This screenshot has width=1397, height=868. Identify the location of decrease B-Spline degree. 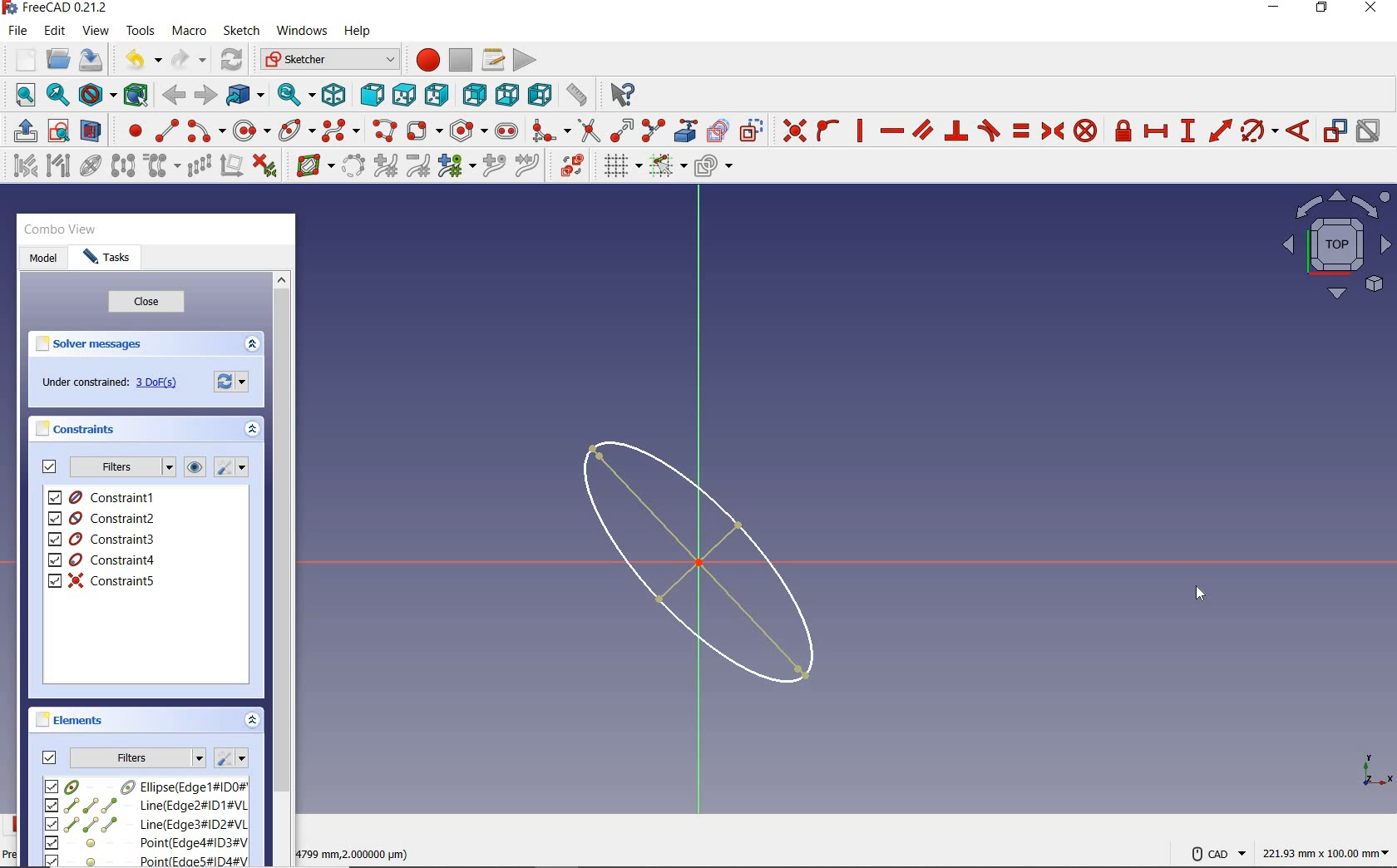
(417, 165).